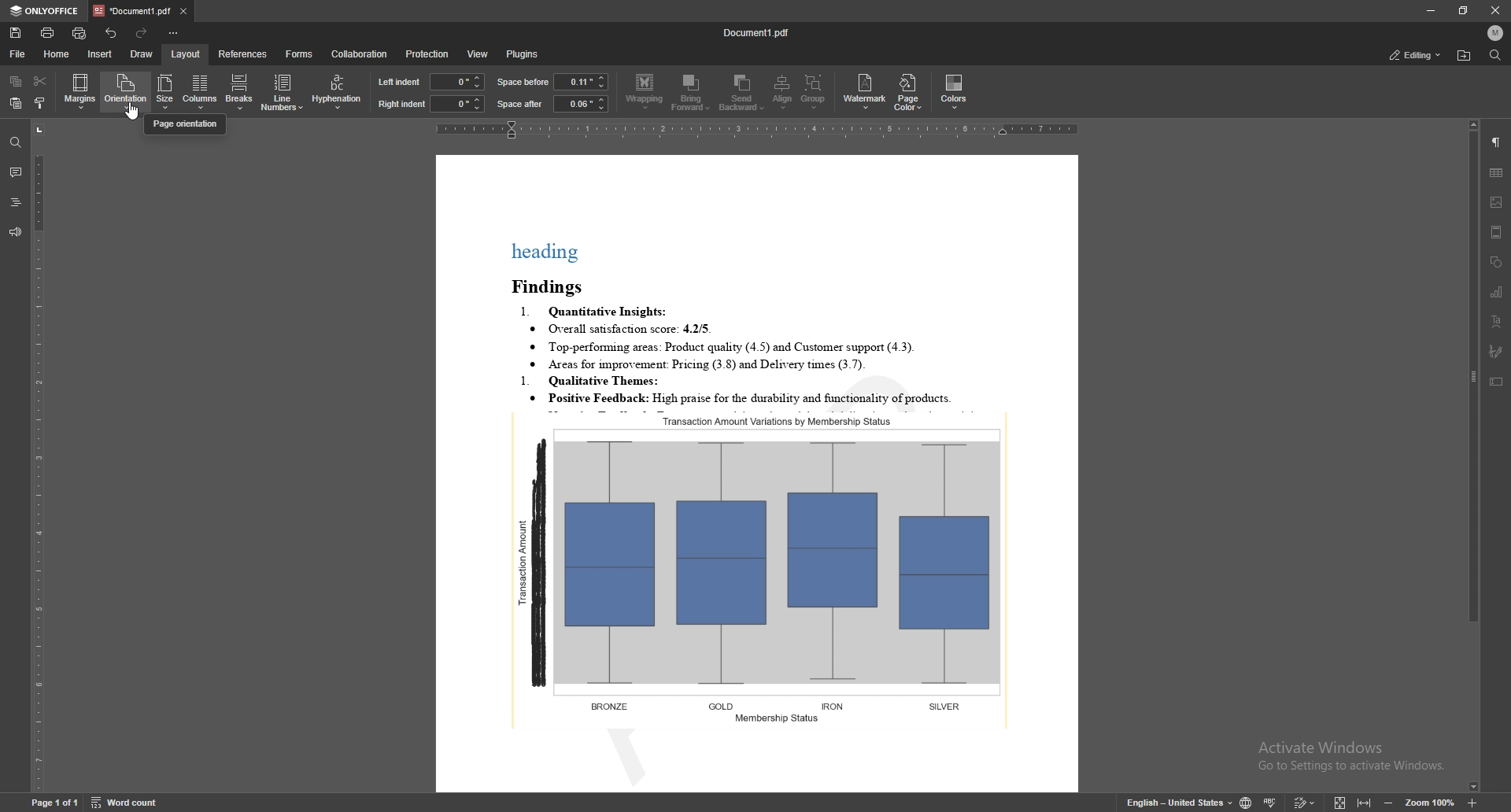  Describe the element at coordinates (1473, 456) in the screenshot. I see `scroll bar` at that location.